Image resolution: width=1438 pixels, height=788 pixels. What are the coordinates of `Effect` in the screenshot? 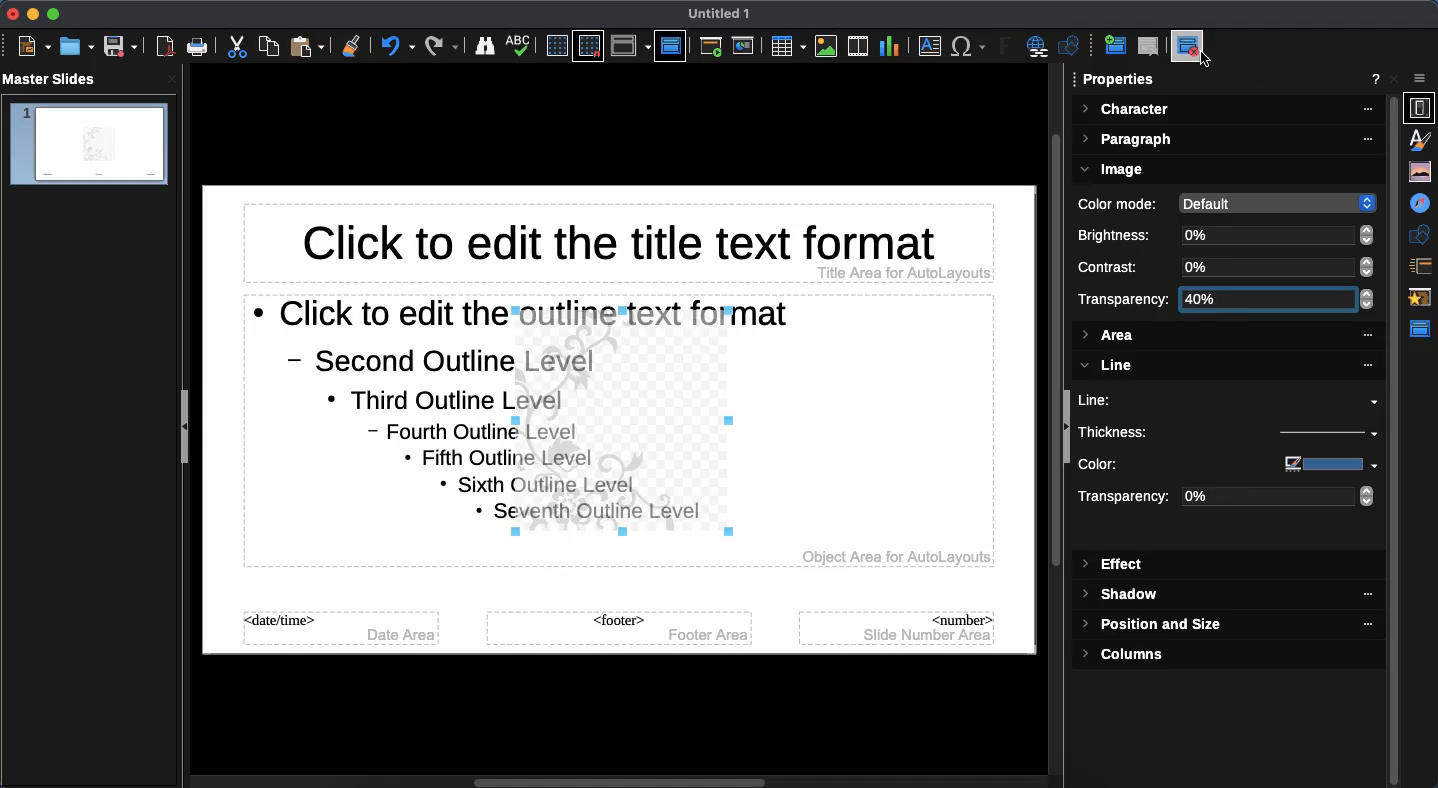 It's located at (1115, 565).